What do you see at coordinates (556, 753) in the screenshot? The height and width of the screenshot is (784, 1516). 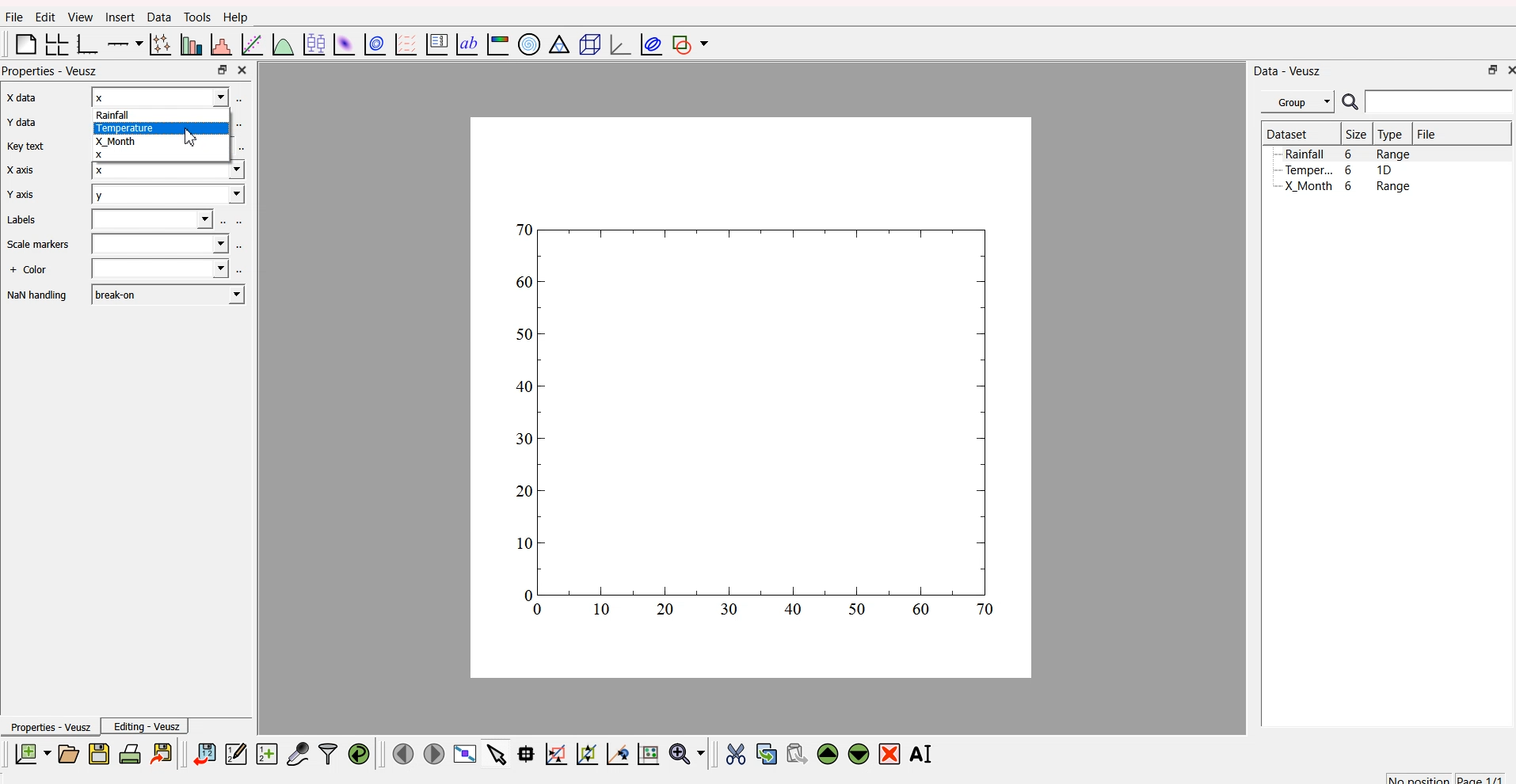 I see `draw rectangle to zoom` at bounding box center [556, 753].